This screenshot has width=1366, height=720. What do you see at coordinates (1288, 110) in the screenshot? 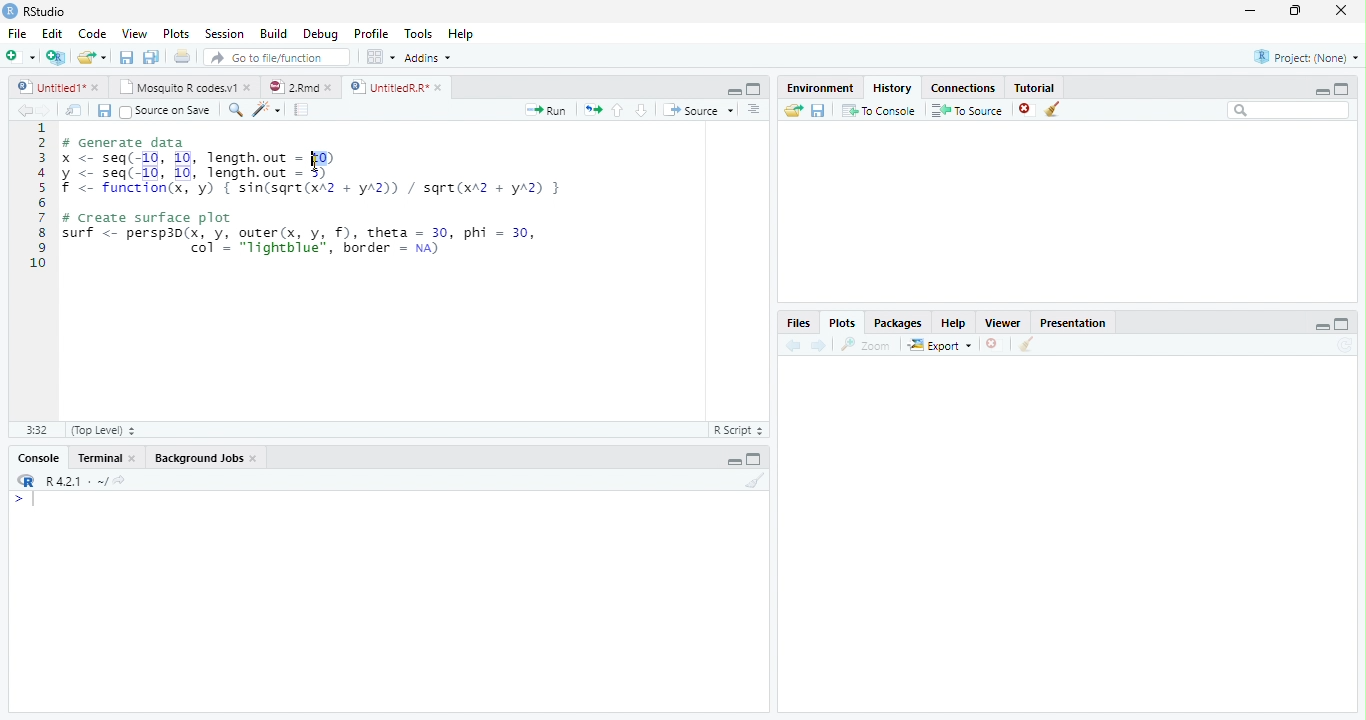
I see `Search bar` at bounding box center [1288, 110].